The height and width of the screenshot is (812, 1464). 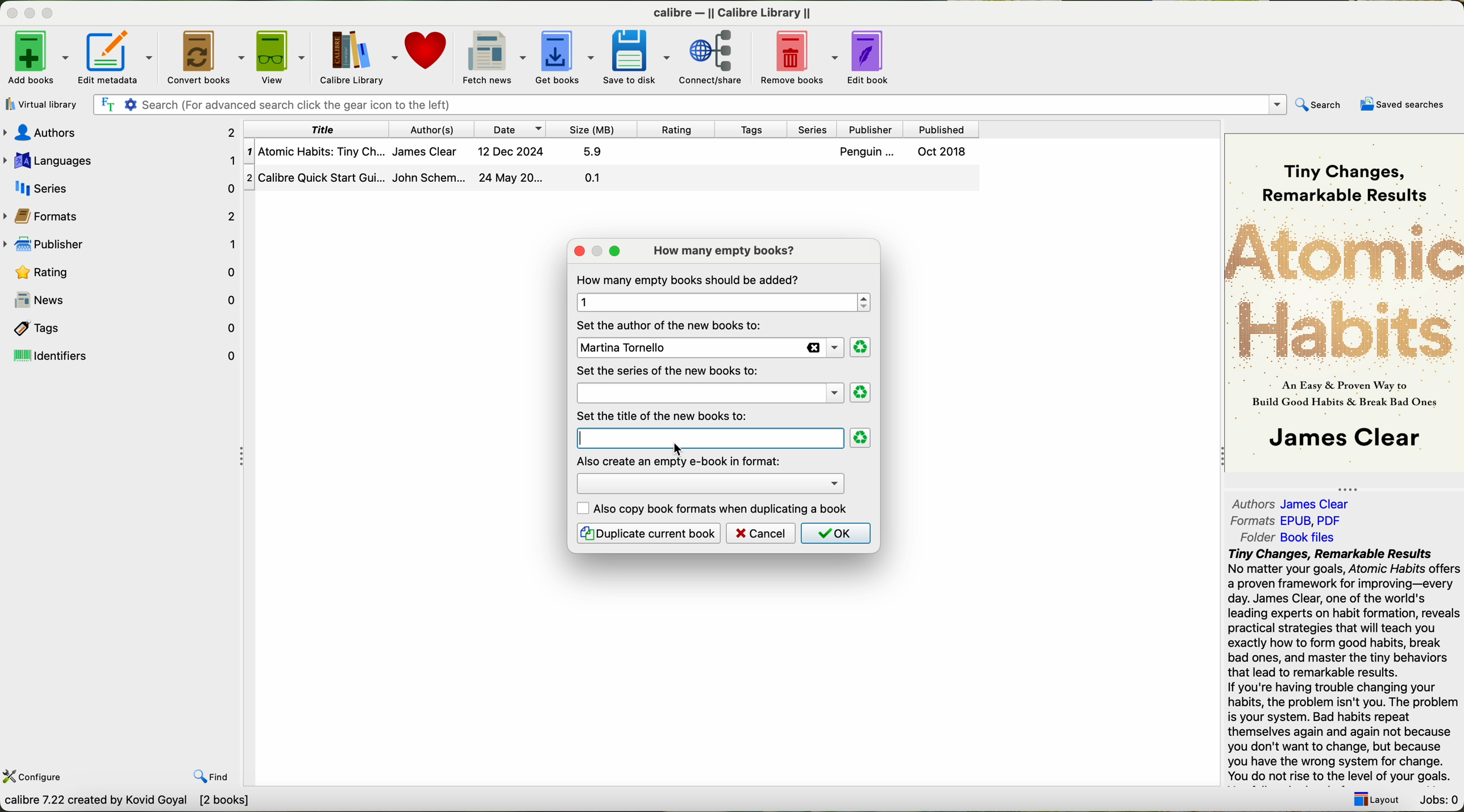 I want to click on also create and empy ebook in format, so click(x=680, y=460).